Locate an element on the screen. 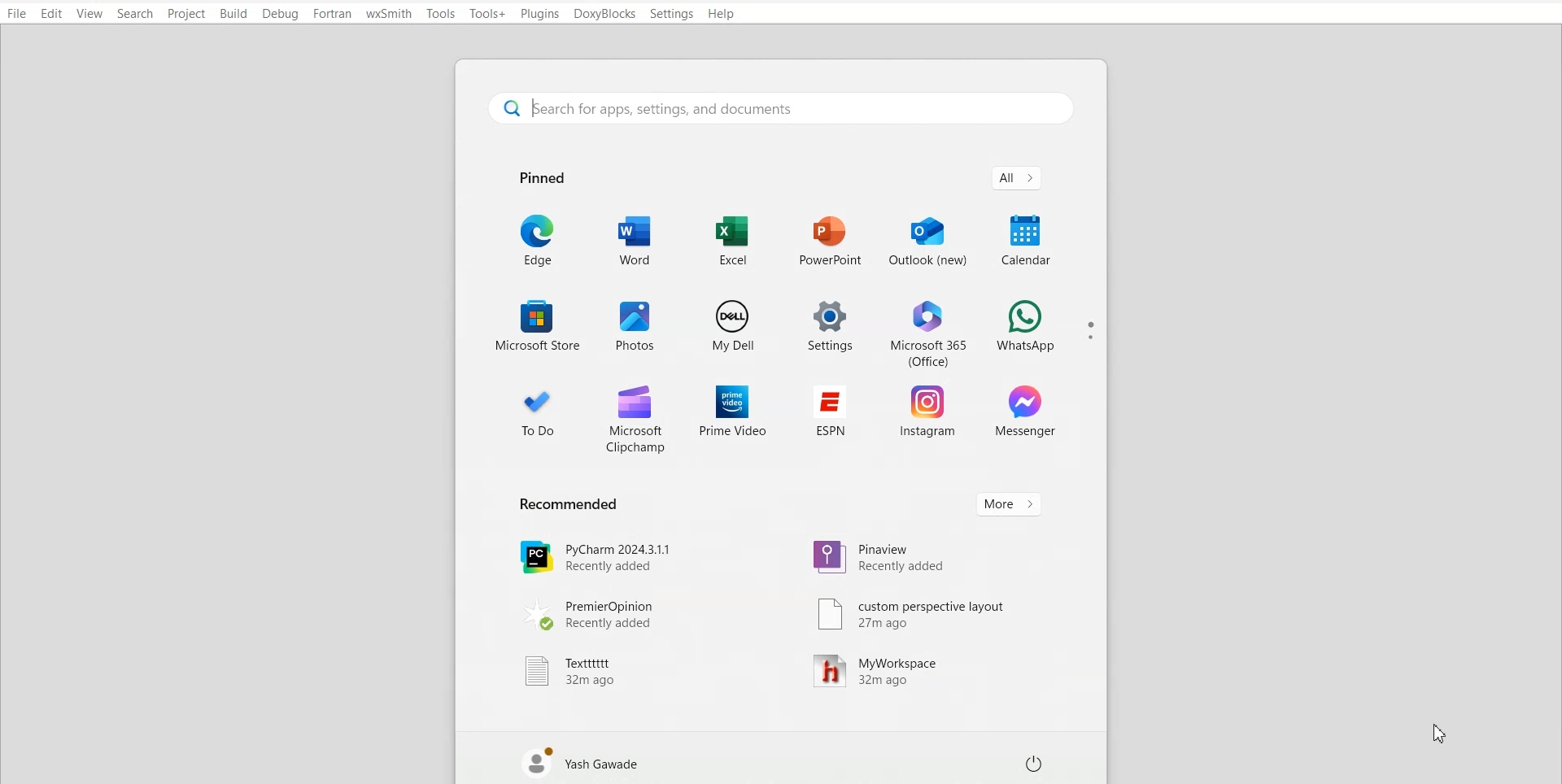 The image size is (1562, 784). Calendar is located at coordinates (1026, 240).